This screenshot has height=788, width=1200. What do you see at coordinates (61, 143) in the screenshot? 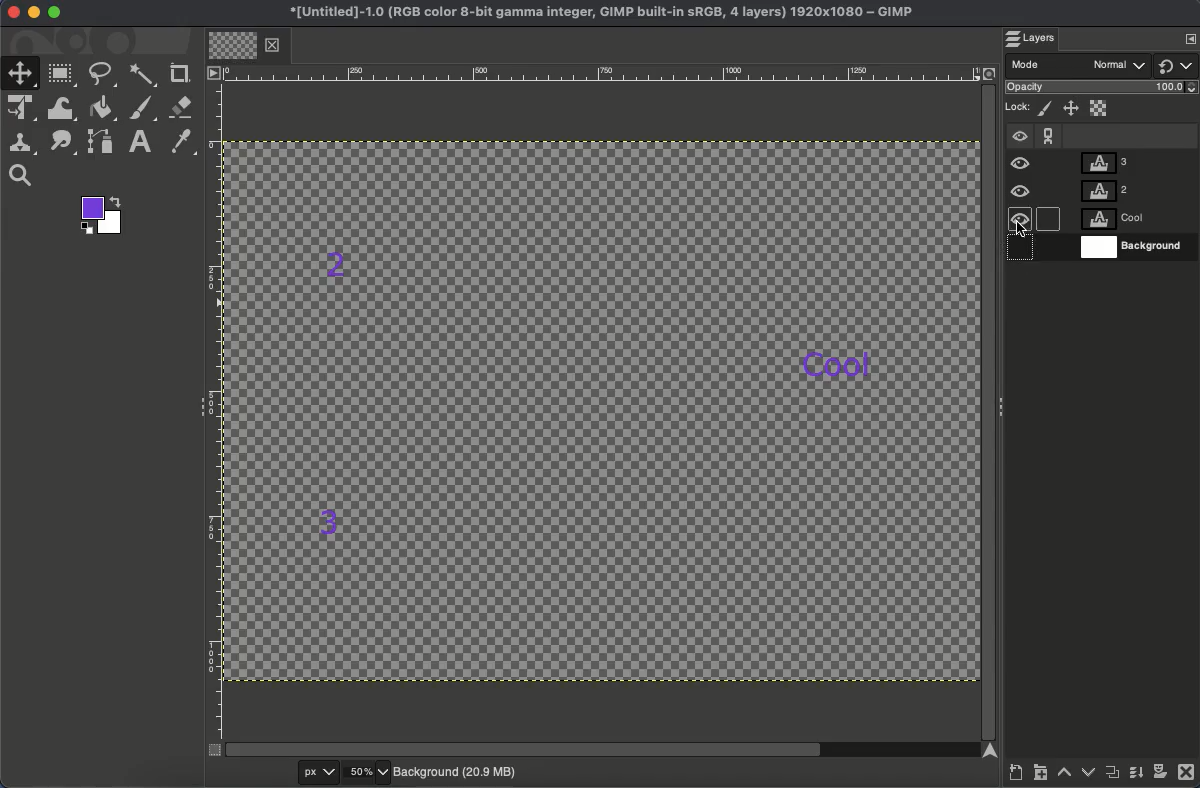
I see `Smudge` at bounding box center [61, 143].